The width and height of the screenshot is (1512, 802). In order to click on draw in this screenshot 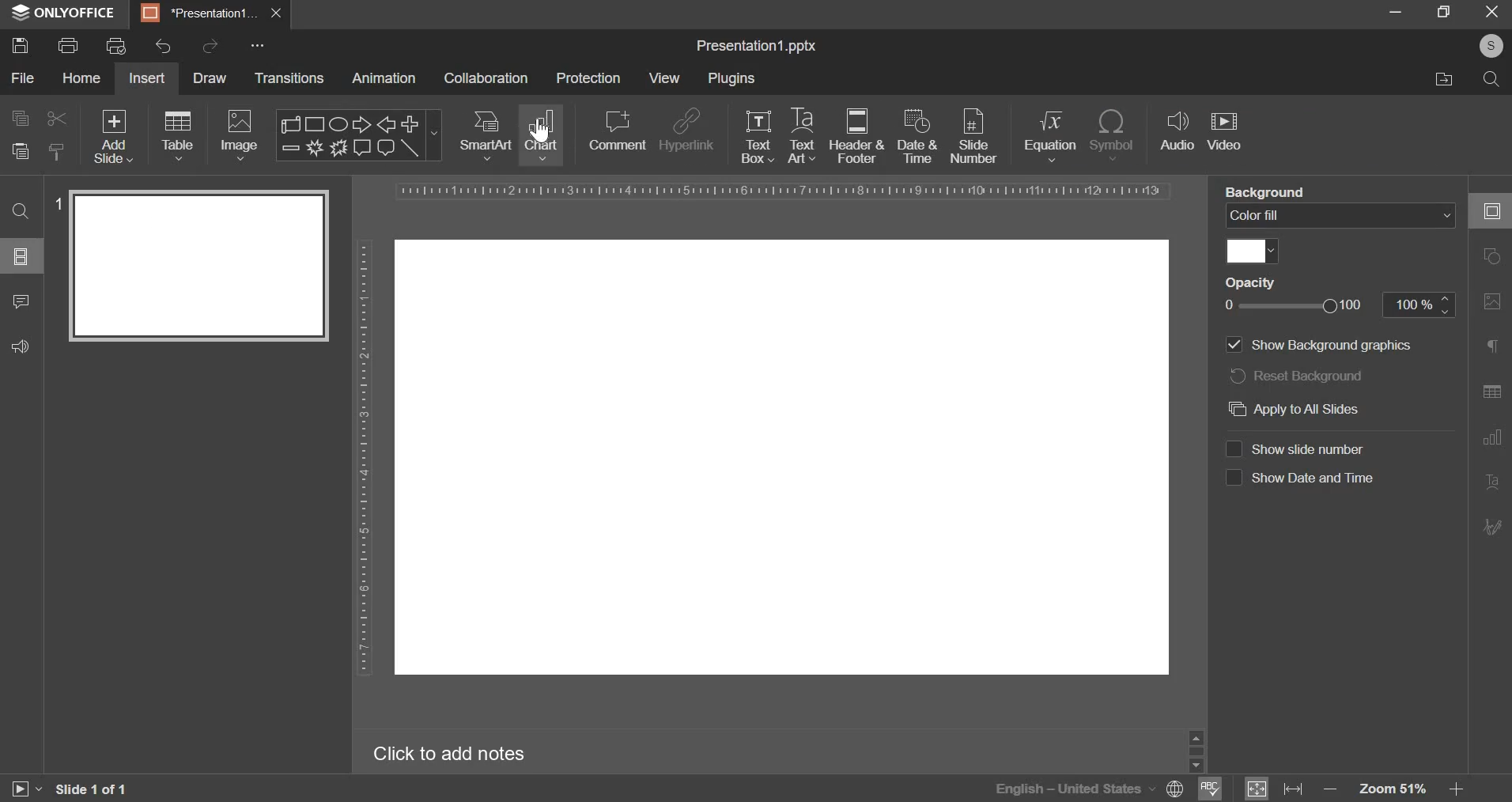, I will do `click(209, 78)`.